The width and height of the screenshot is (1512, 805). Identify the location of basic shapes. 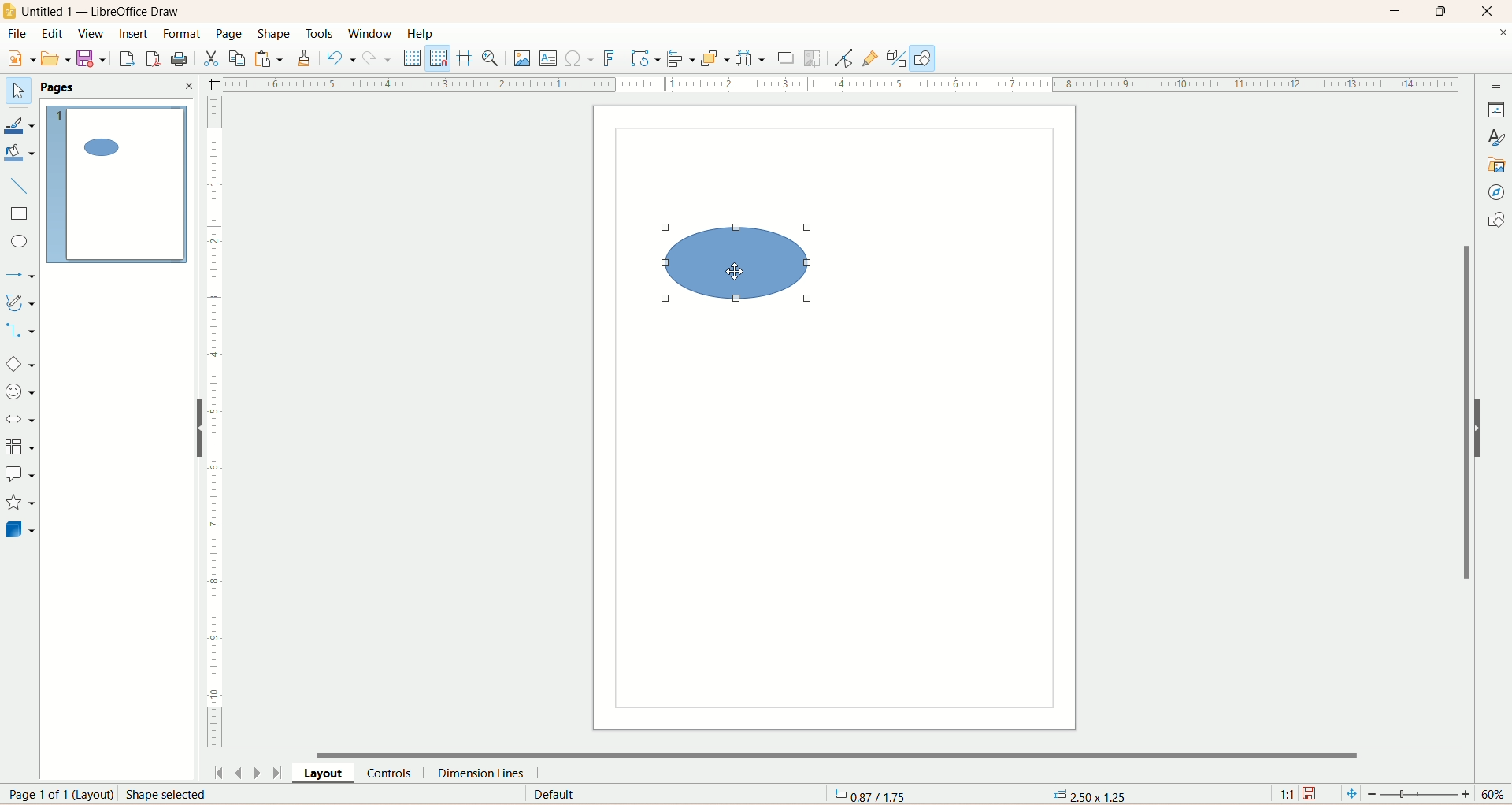
(19, 364).